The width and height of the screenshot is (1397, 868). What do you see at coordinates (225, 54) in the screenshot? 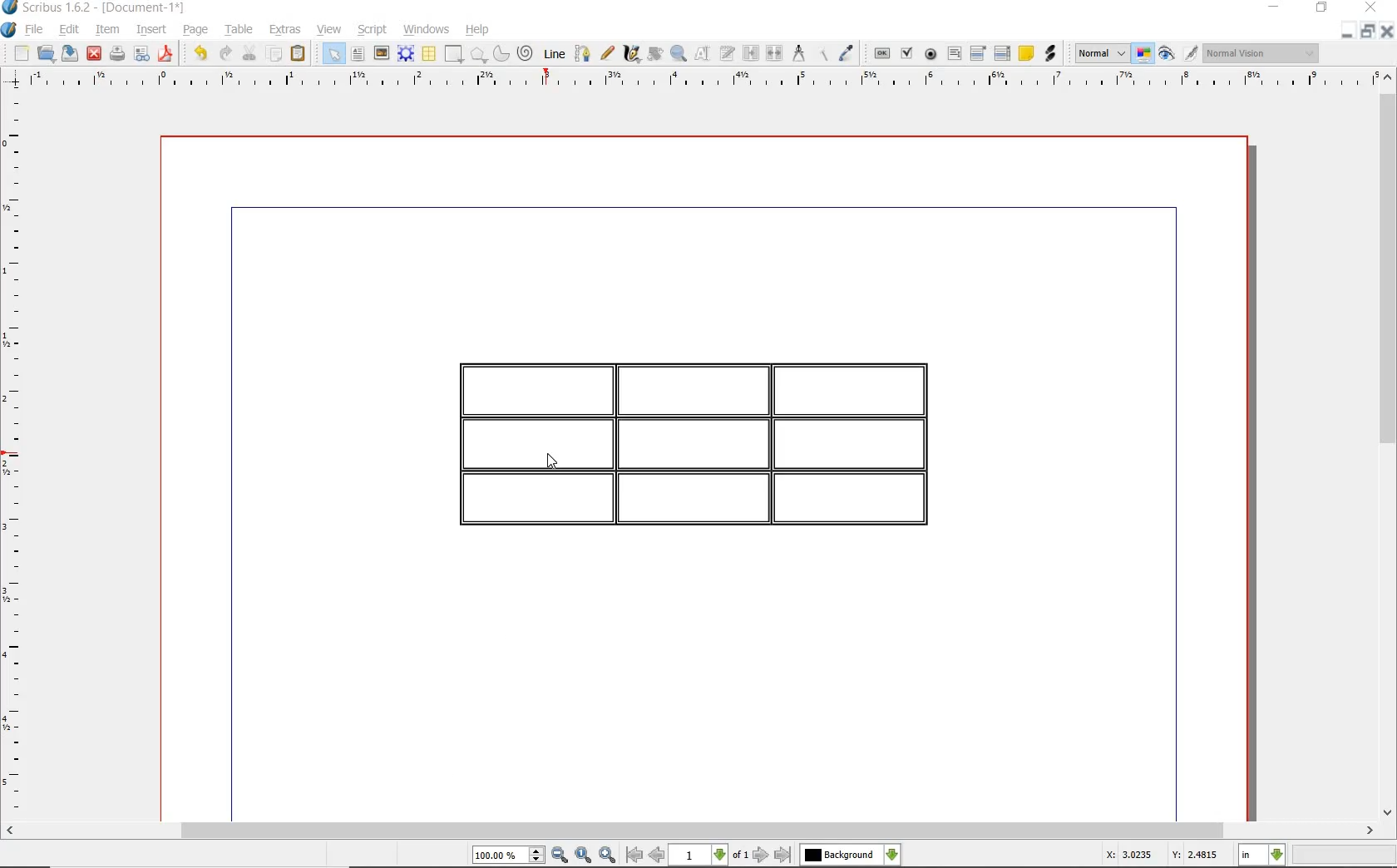
I see `redo` at bounding box center [225, 54].